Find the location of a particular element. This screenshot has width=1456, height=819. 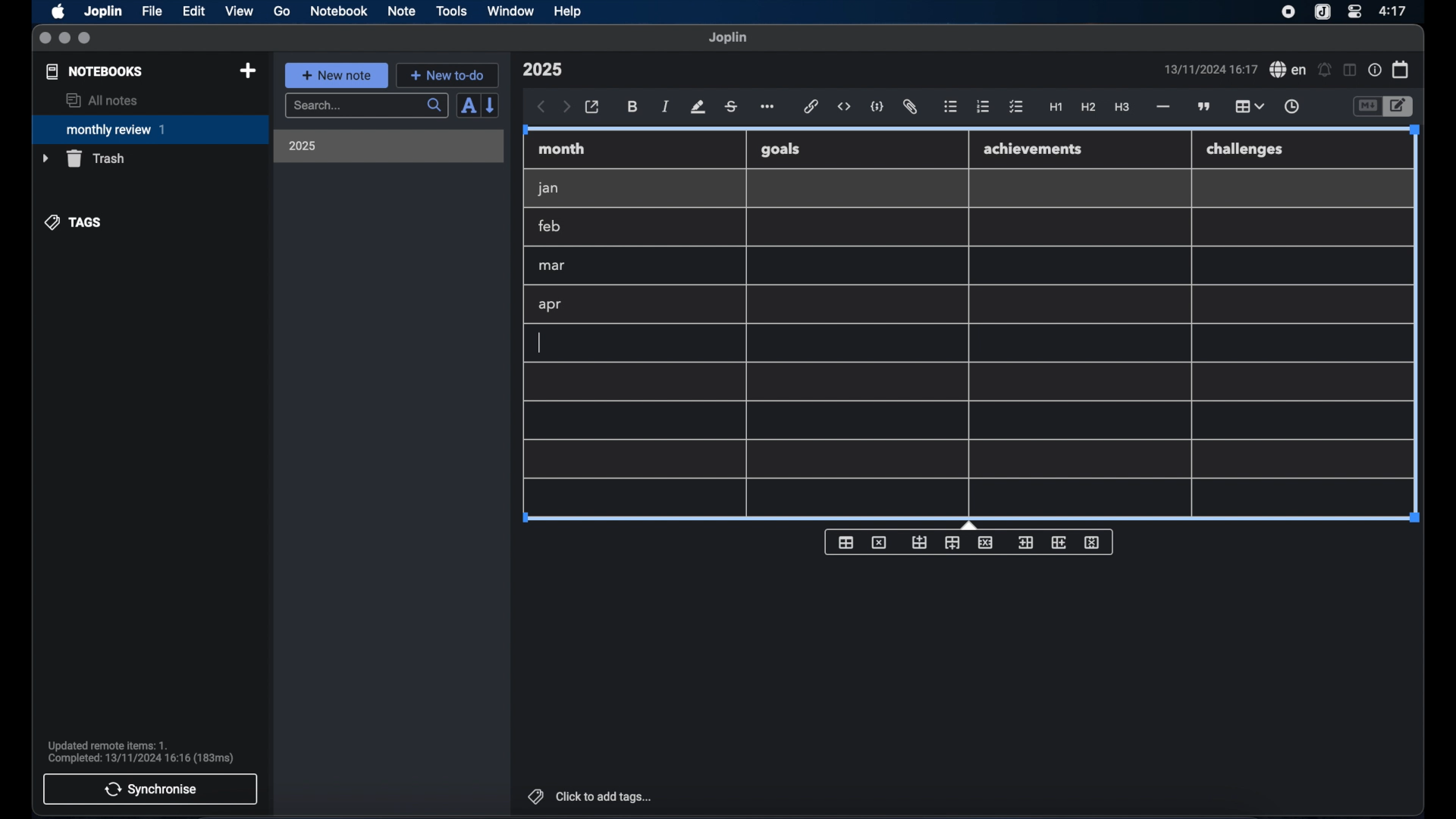

feb is located at coordinates (551, 226).